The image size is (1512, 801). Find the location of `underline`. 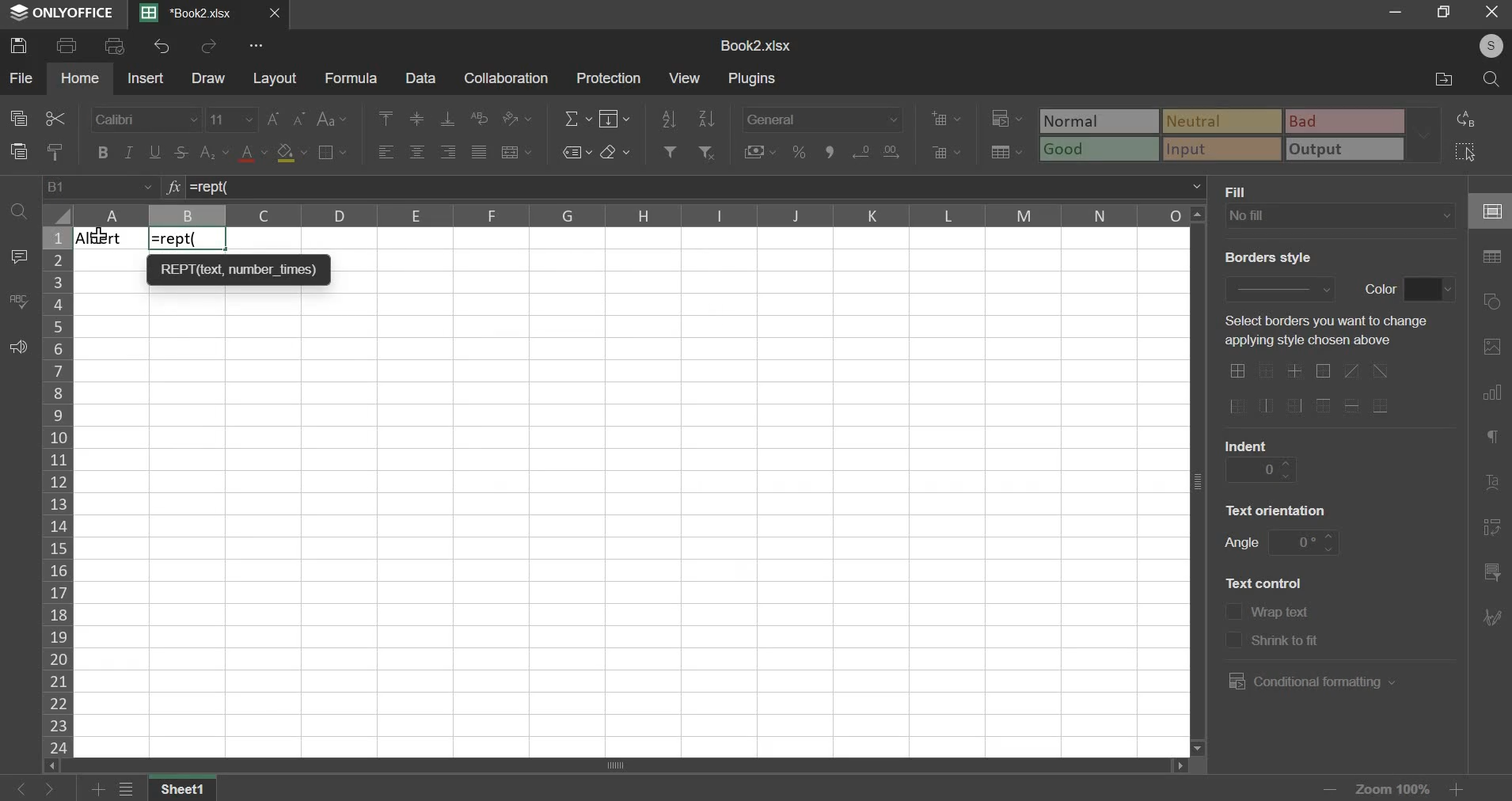

underline is located at coordinates (155, 150).